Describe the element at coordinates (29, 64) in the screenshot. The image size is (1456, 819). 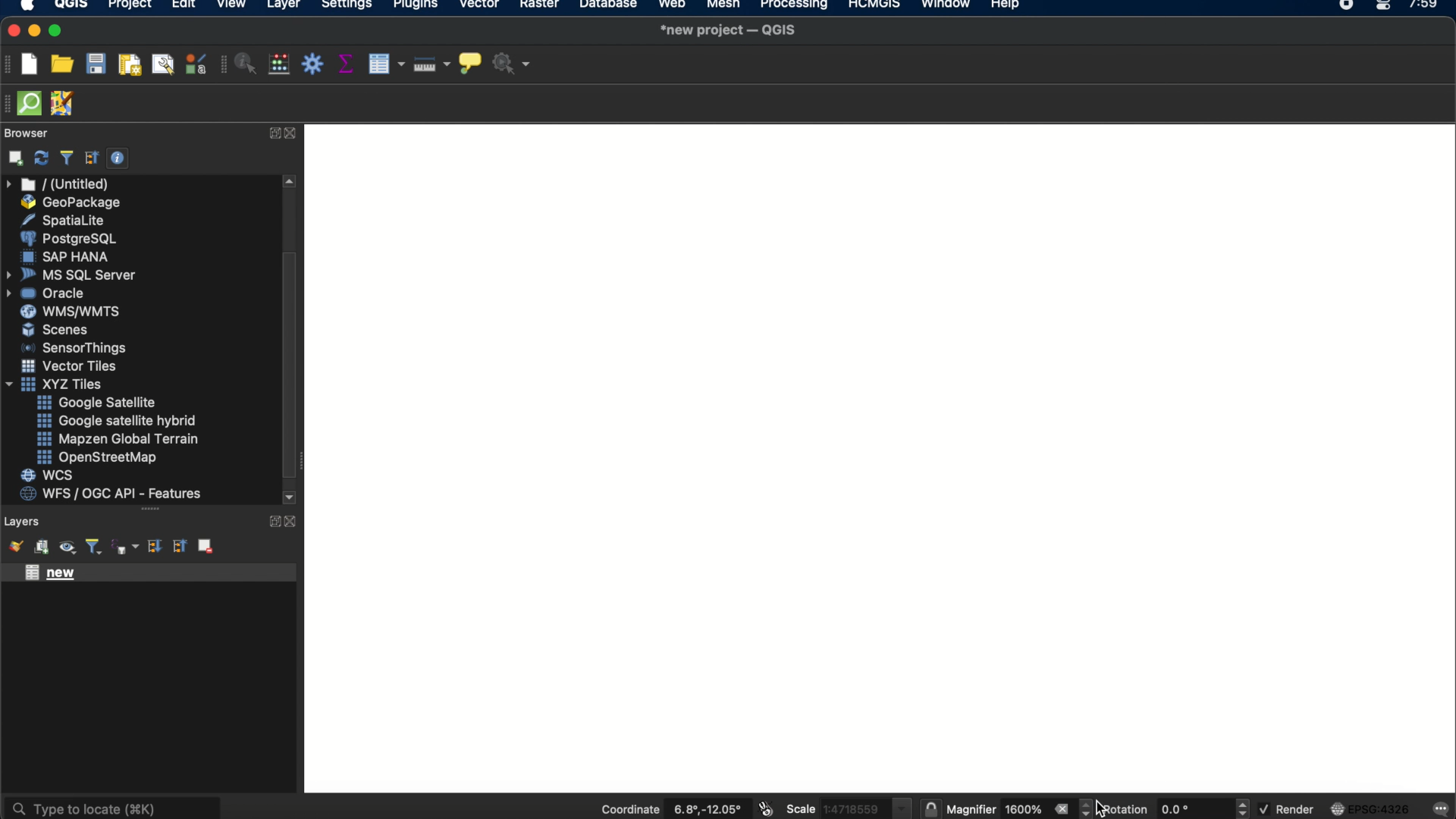
I see `new project` at that location.